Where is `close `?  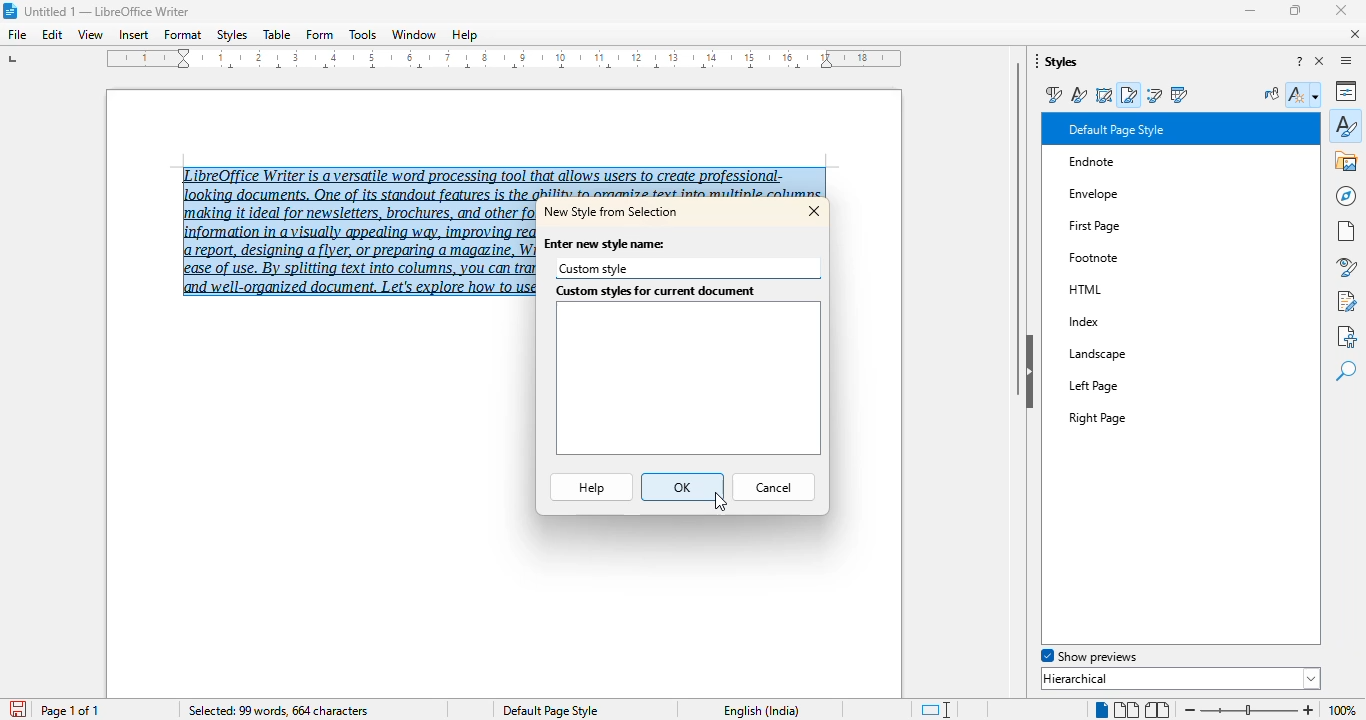 close  is located at coordinates (1341, 10).